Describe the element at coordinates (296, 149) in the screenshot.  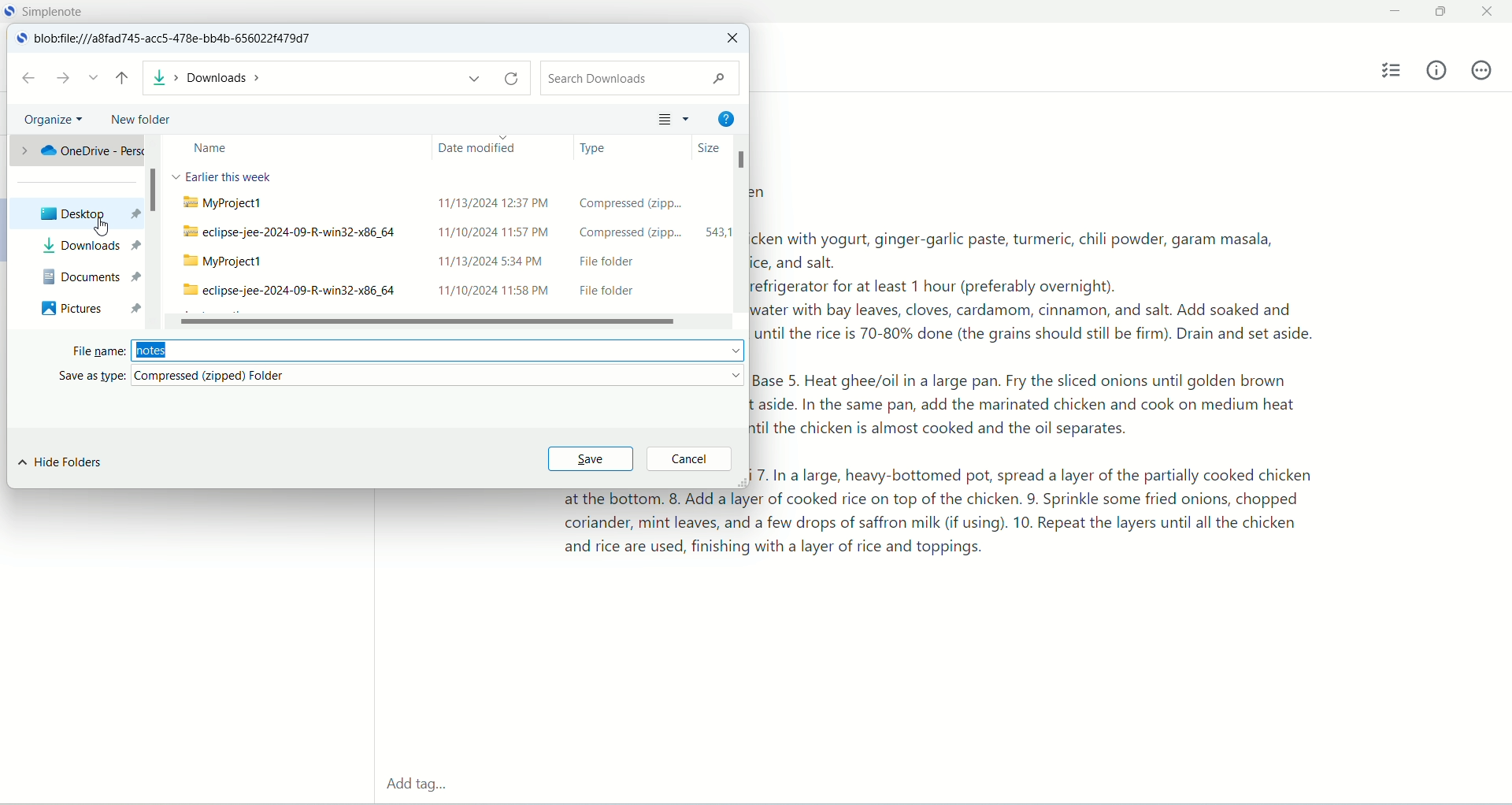
I see `name` at that location.